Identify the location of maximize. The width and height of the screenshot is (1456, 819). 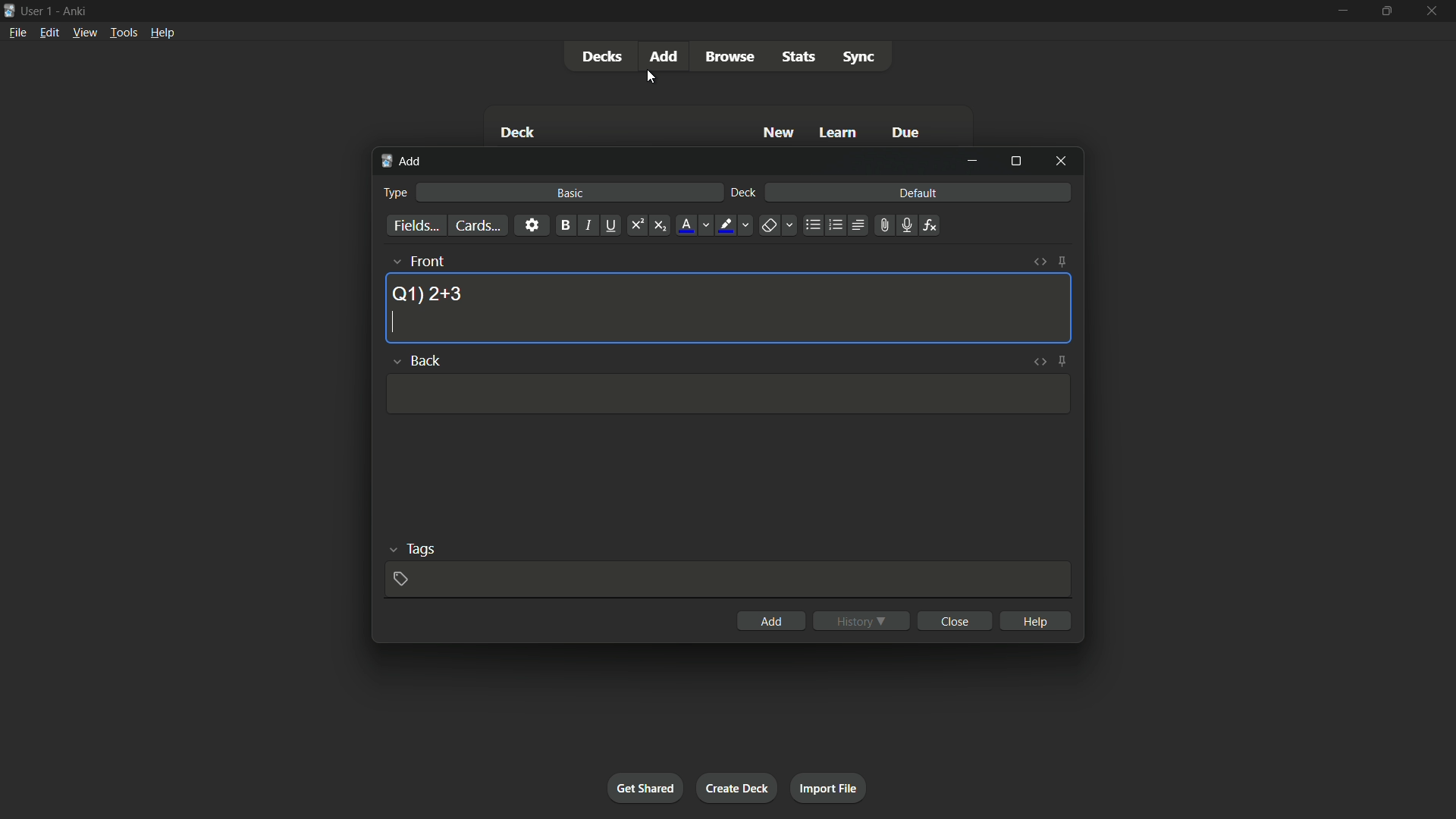
(1385, 11).